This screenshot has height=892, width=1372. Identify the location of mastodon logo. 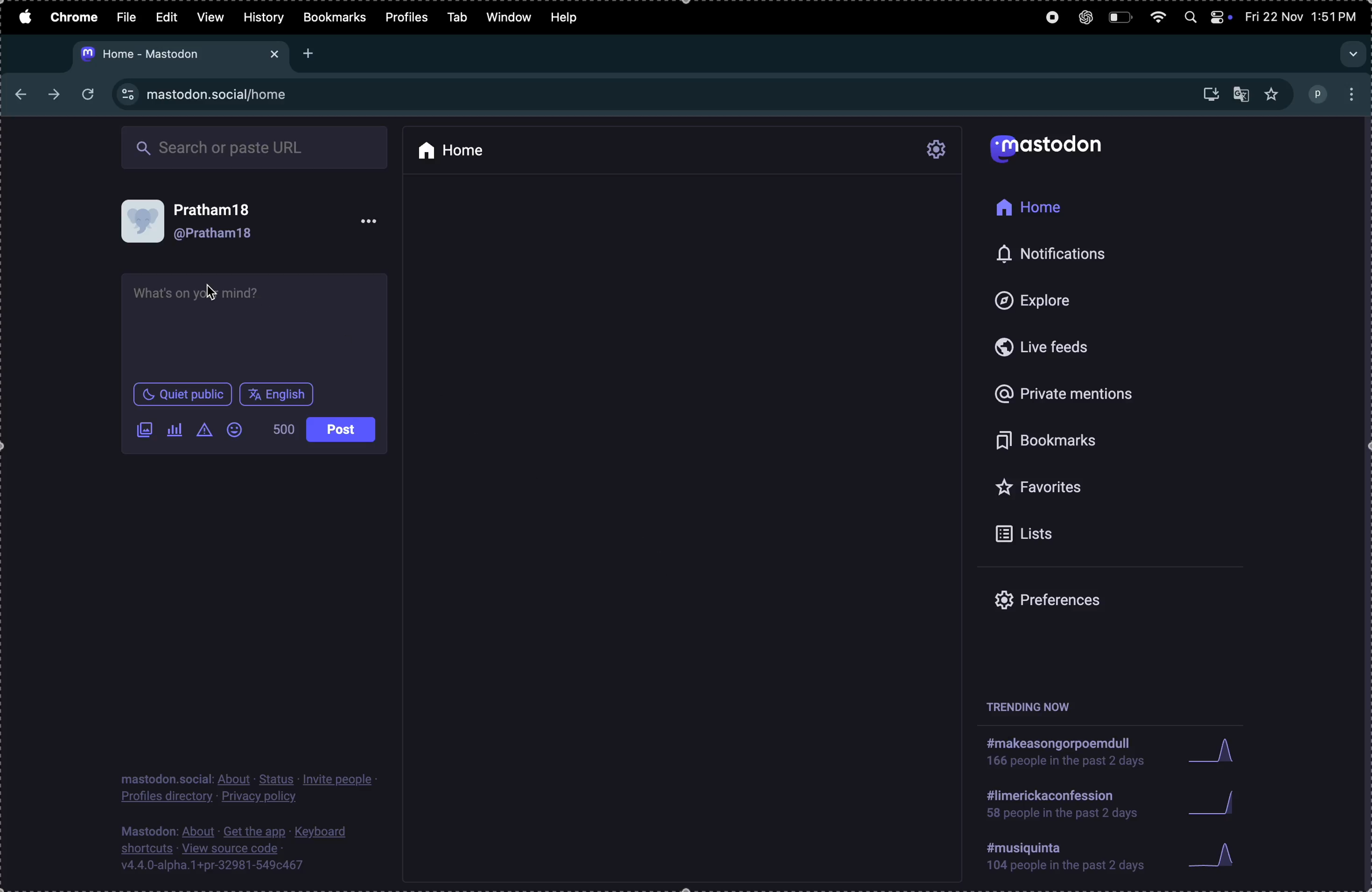
(1066, 144).